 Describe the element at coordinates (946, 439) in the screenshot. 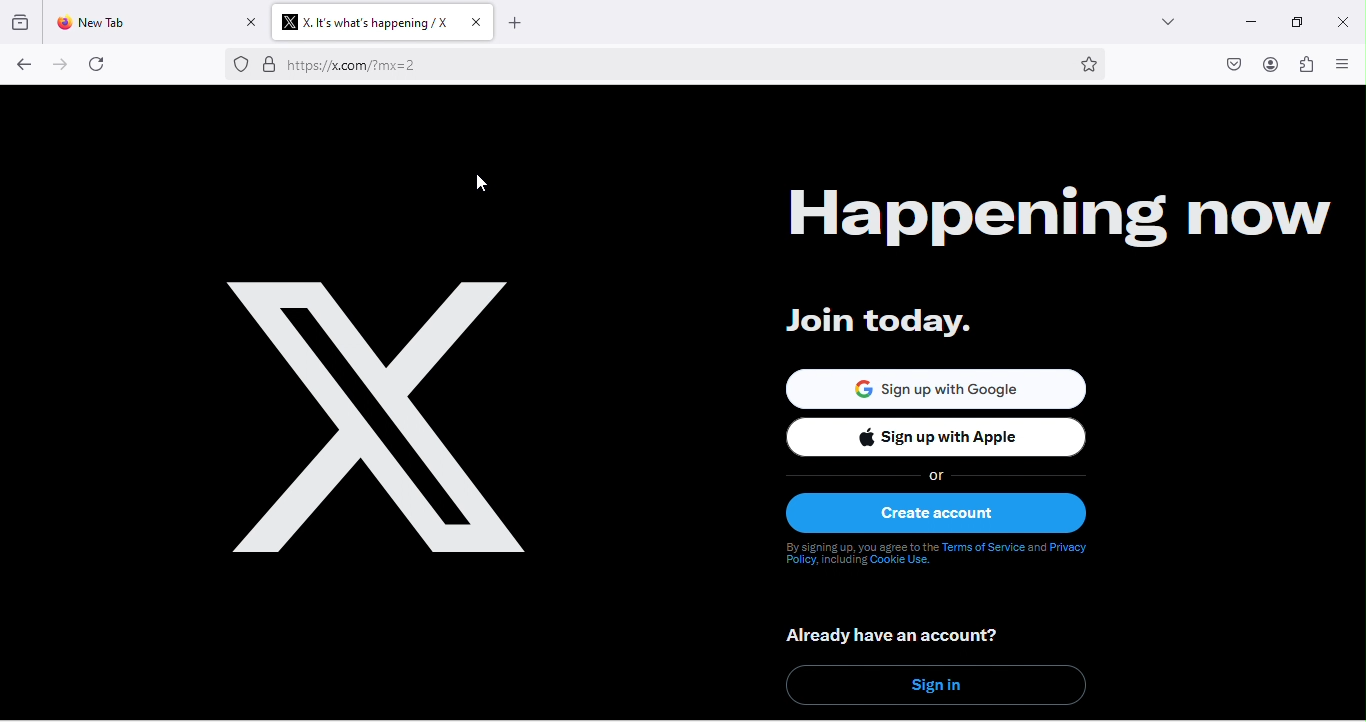

I see `sign up with apple` at that location.